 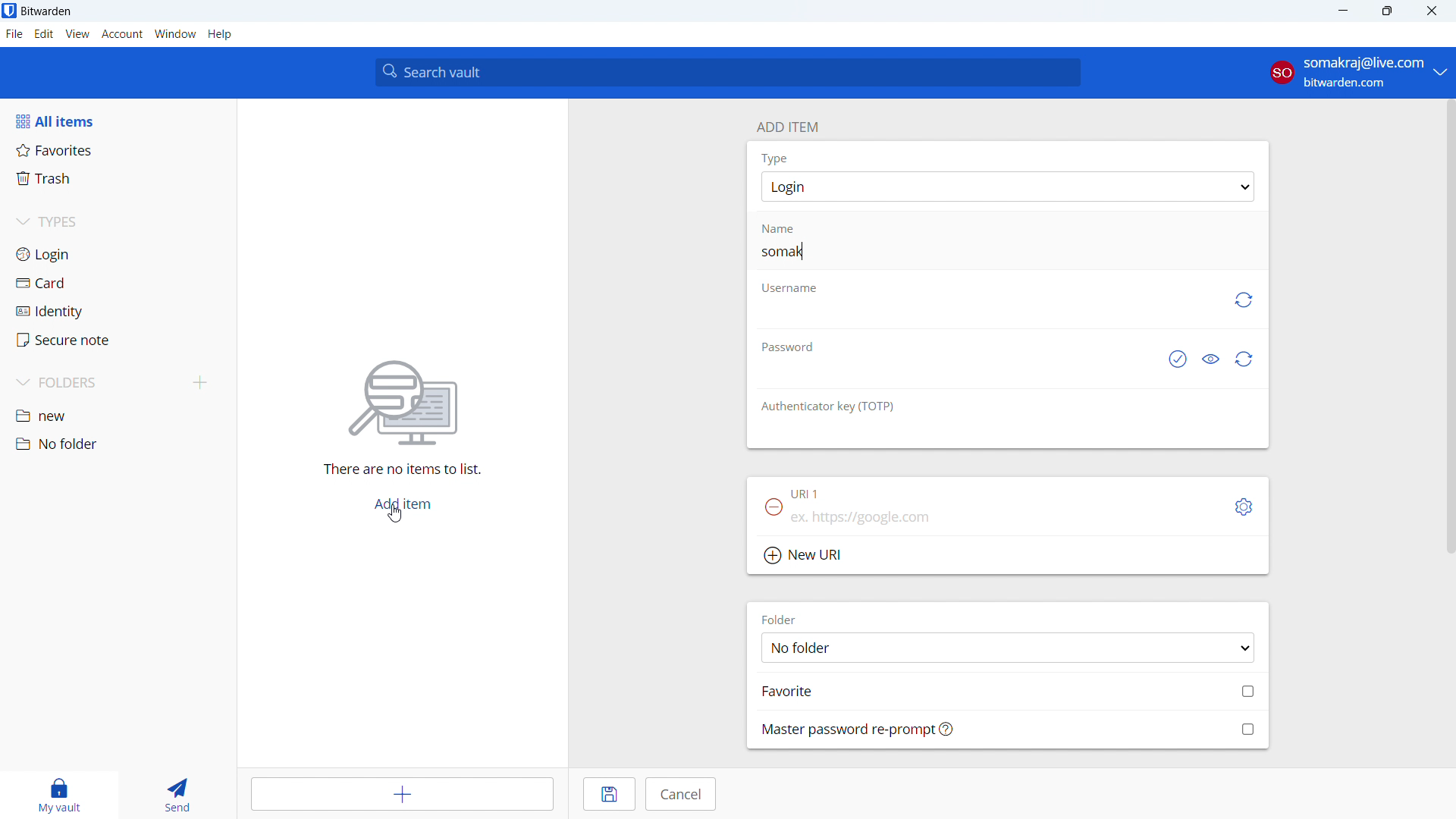 I want to click on cancel, so click(x=680, y=794).